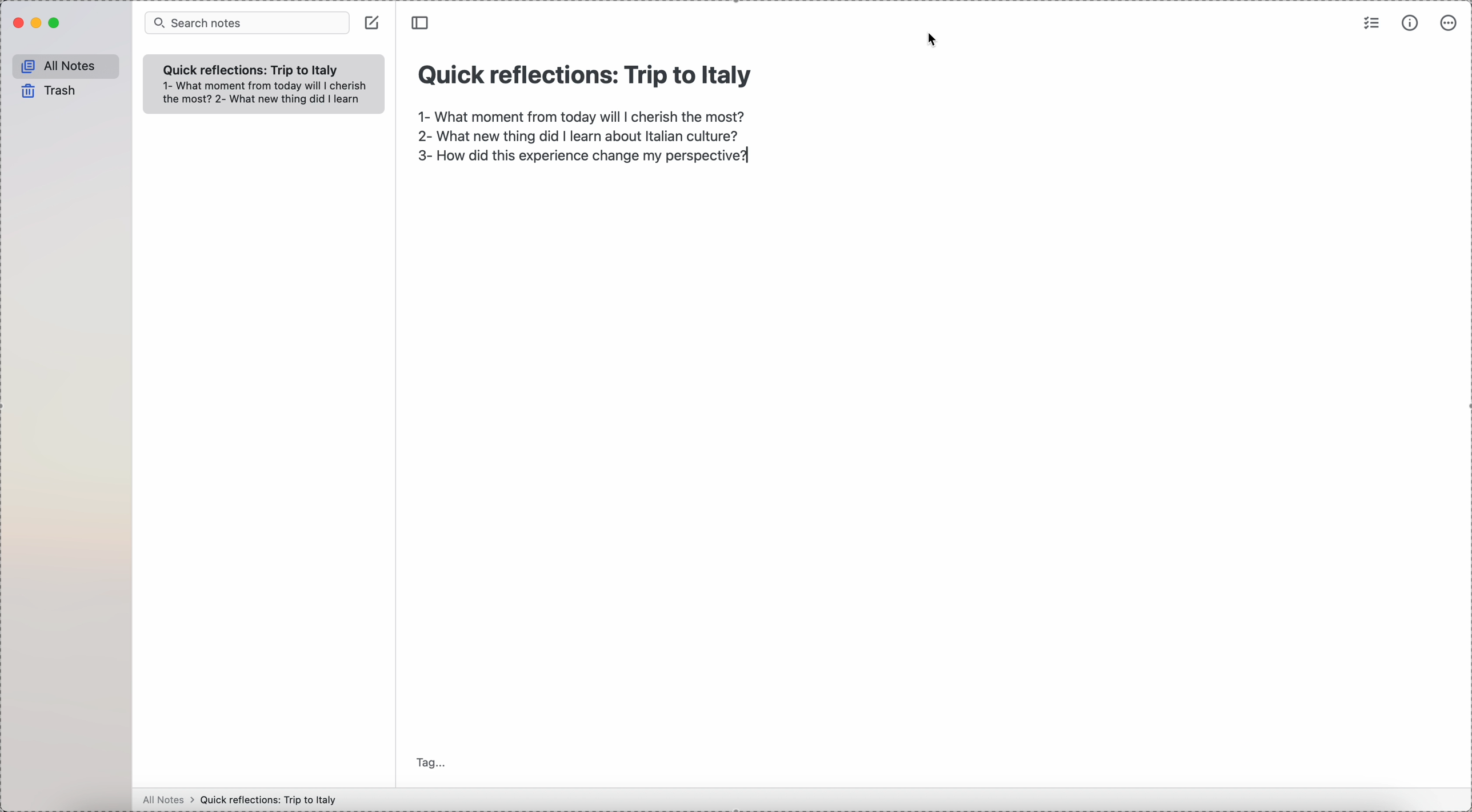 The image size is (1472, 812). What do you see at coordinates (422, 23) in the screenshot?
I see `toggle sidebar` at bounding box center [422, 23].